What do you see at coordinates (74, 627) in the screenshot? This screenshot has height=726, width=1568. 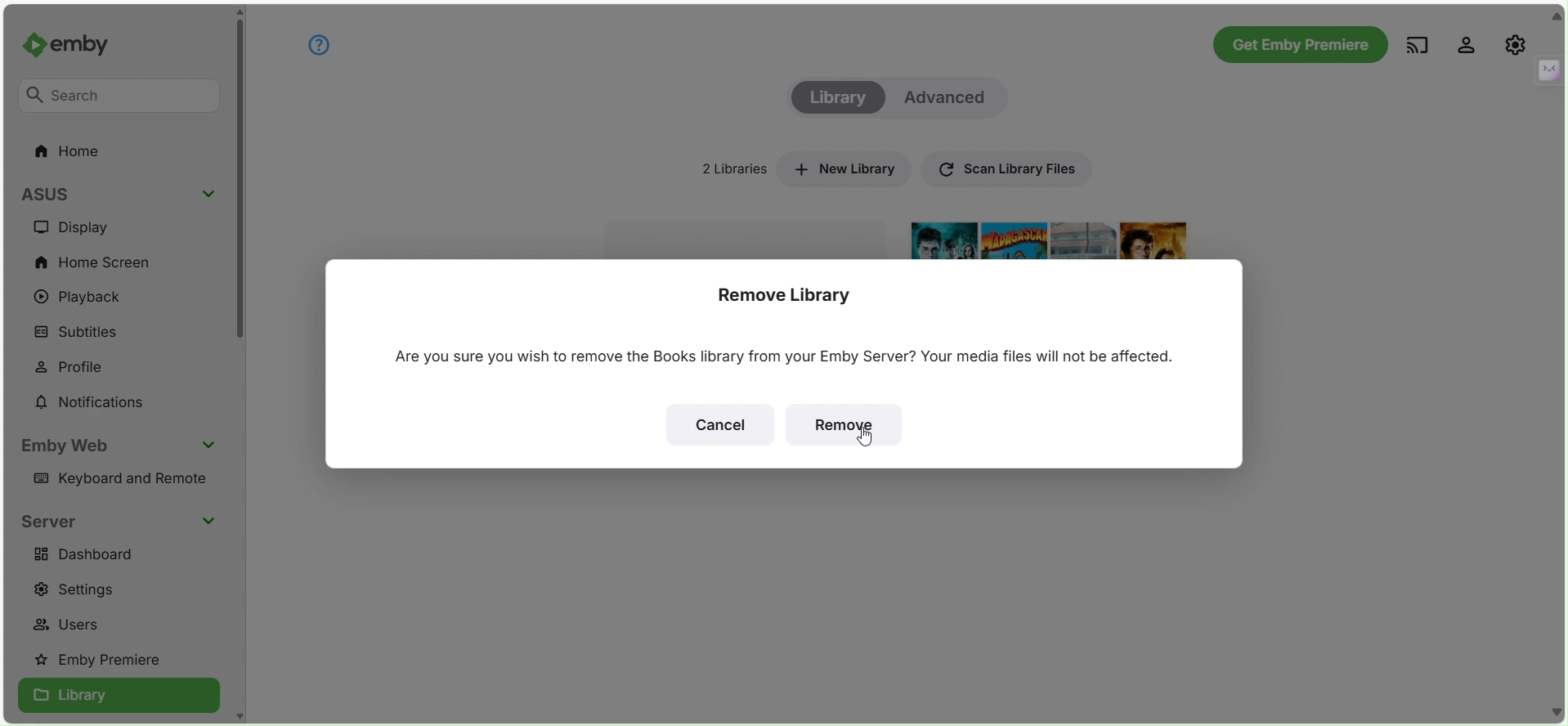 I see `Users` at bounding box center [74, 627].